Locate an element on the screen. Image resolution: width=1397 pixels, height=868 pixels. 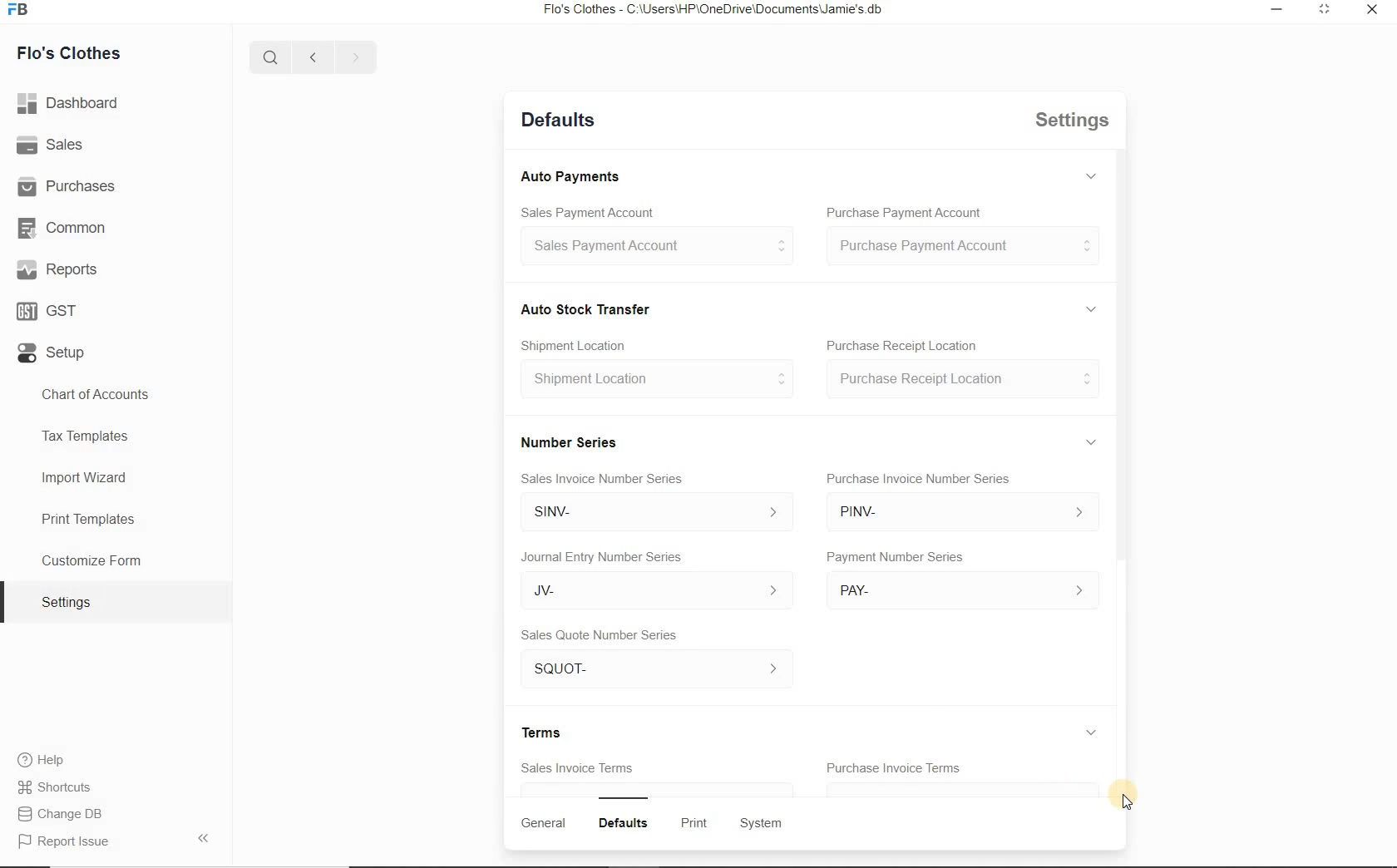
Purchase Receipt Location is located at coordinates (903, 347).